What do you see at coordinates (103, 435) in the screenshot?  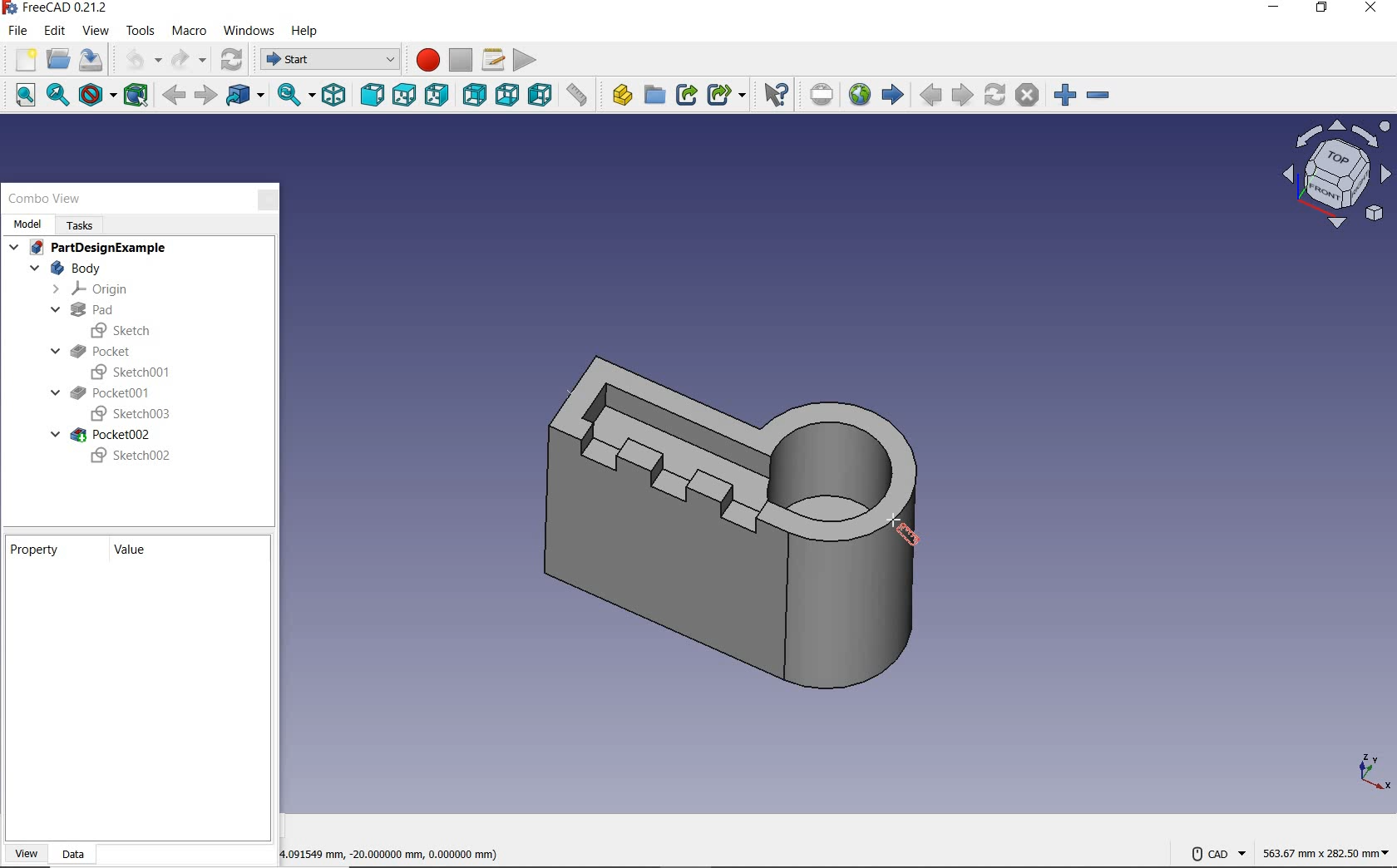 I see `POCKET002` at bounding box center [103, 435].